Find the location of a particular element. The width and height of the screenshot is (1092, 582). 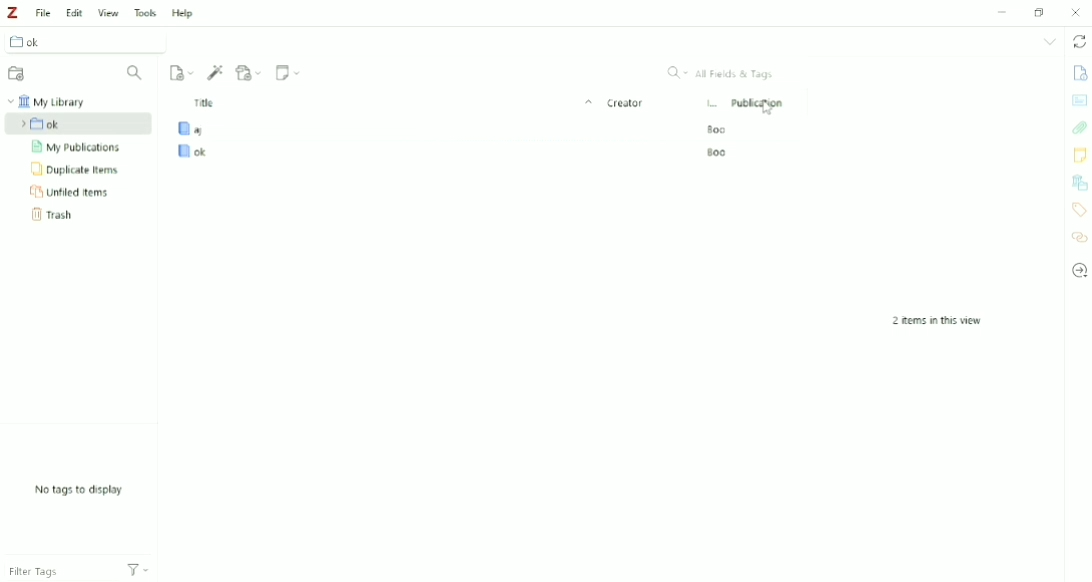

Duplicate Items is located at coordinates (77, 170).